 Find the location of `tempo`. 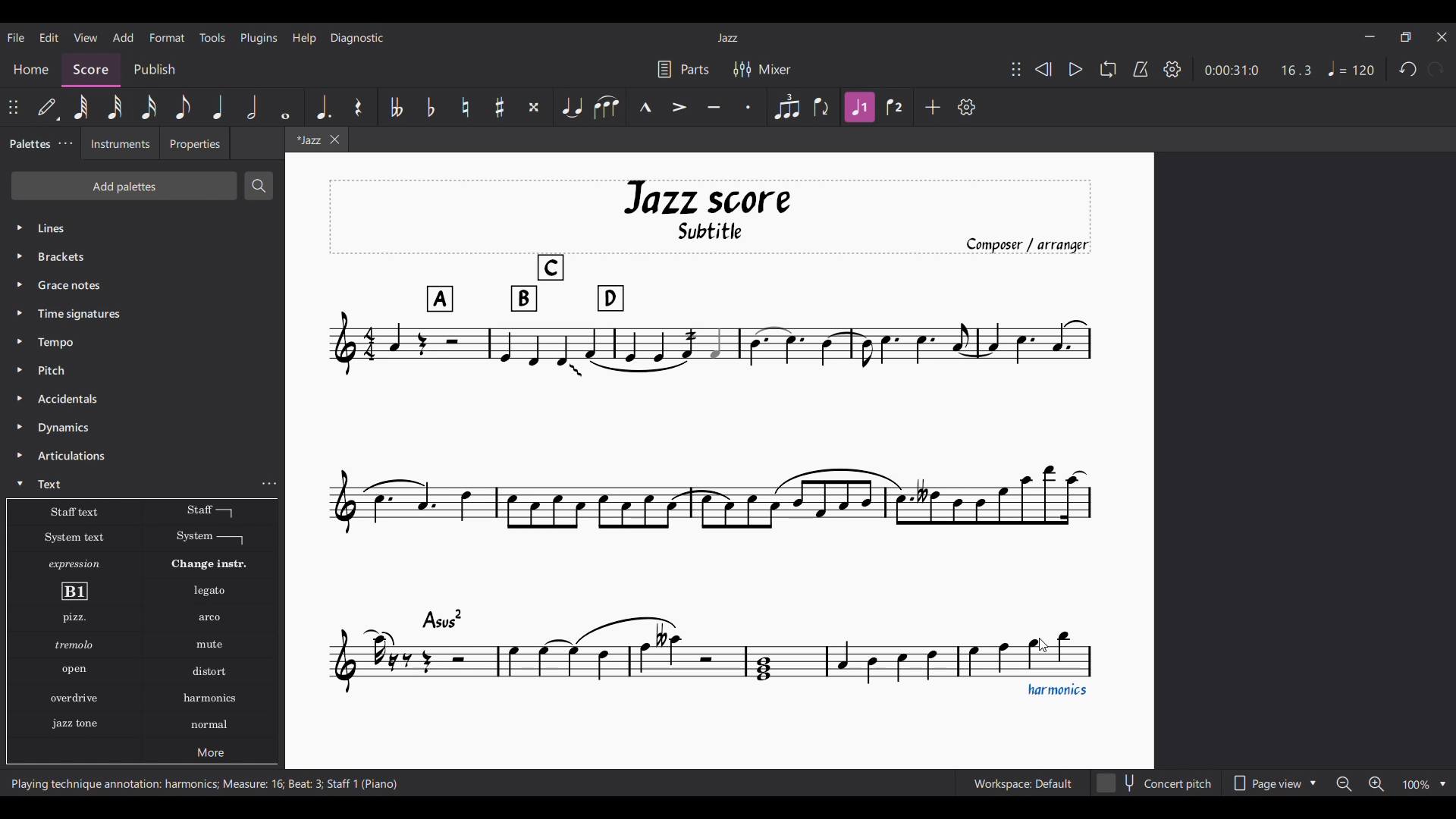

tempo is located at coordinates (59, 342).